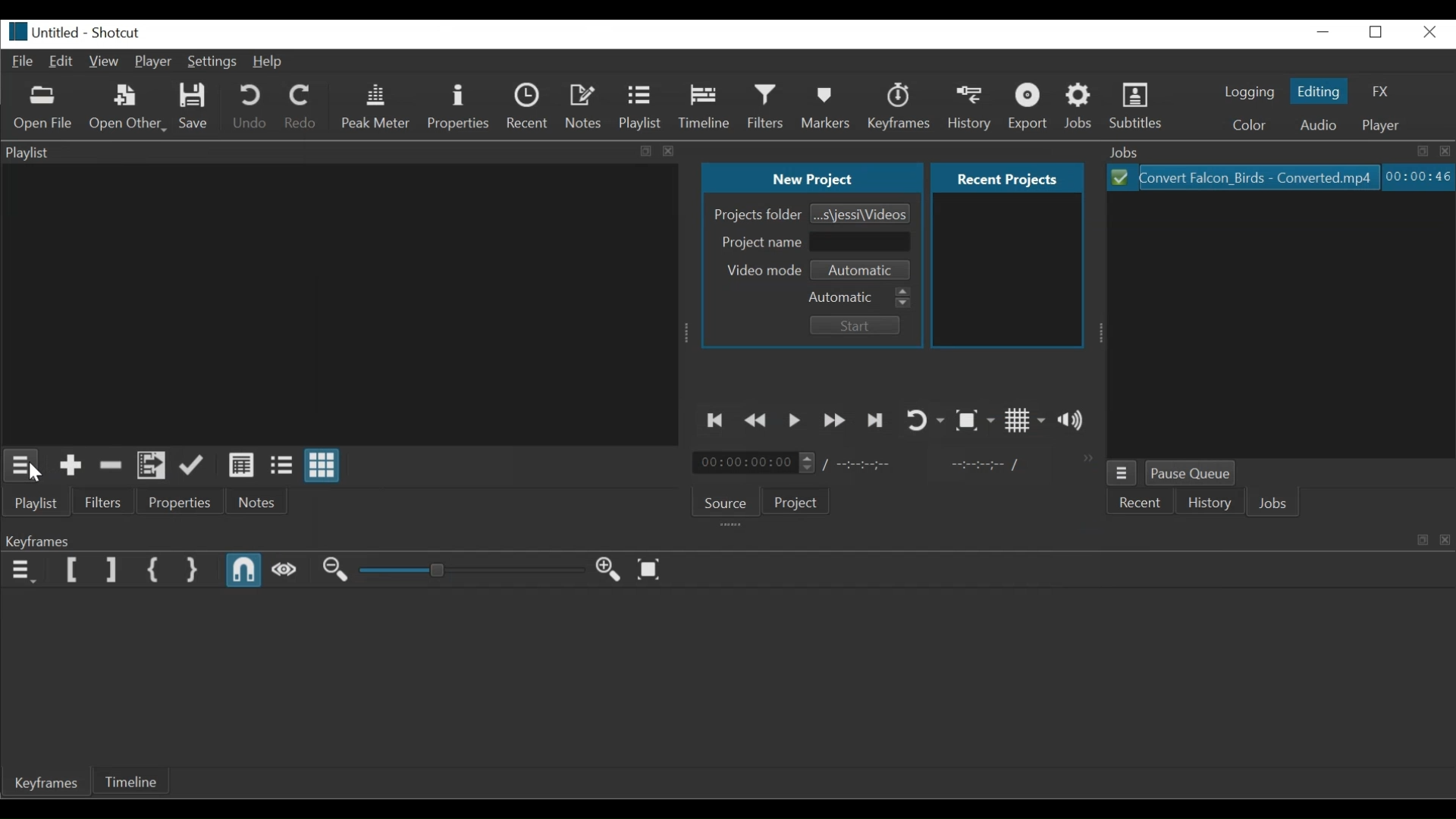  Describe the element at coordinates (1250, 93) in the screenshot. I see `logging` at that location.